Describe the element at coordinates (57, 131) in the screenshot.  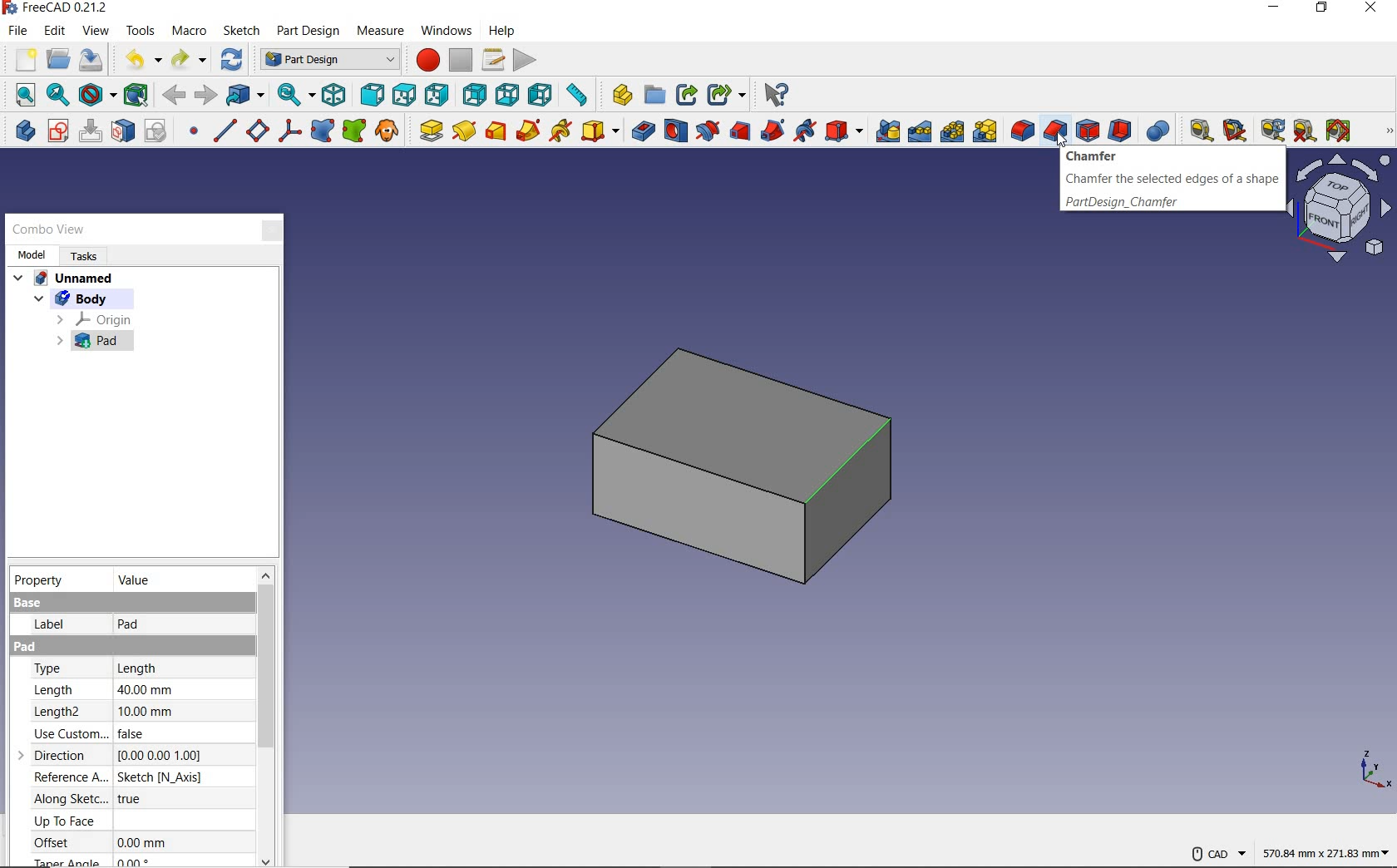
I see `create sketch` at that location.